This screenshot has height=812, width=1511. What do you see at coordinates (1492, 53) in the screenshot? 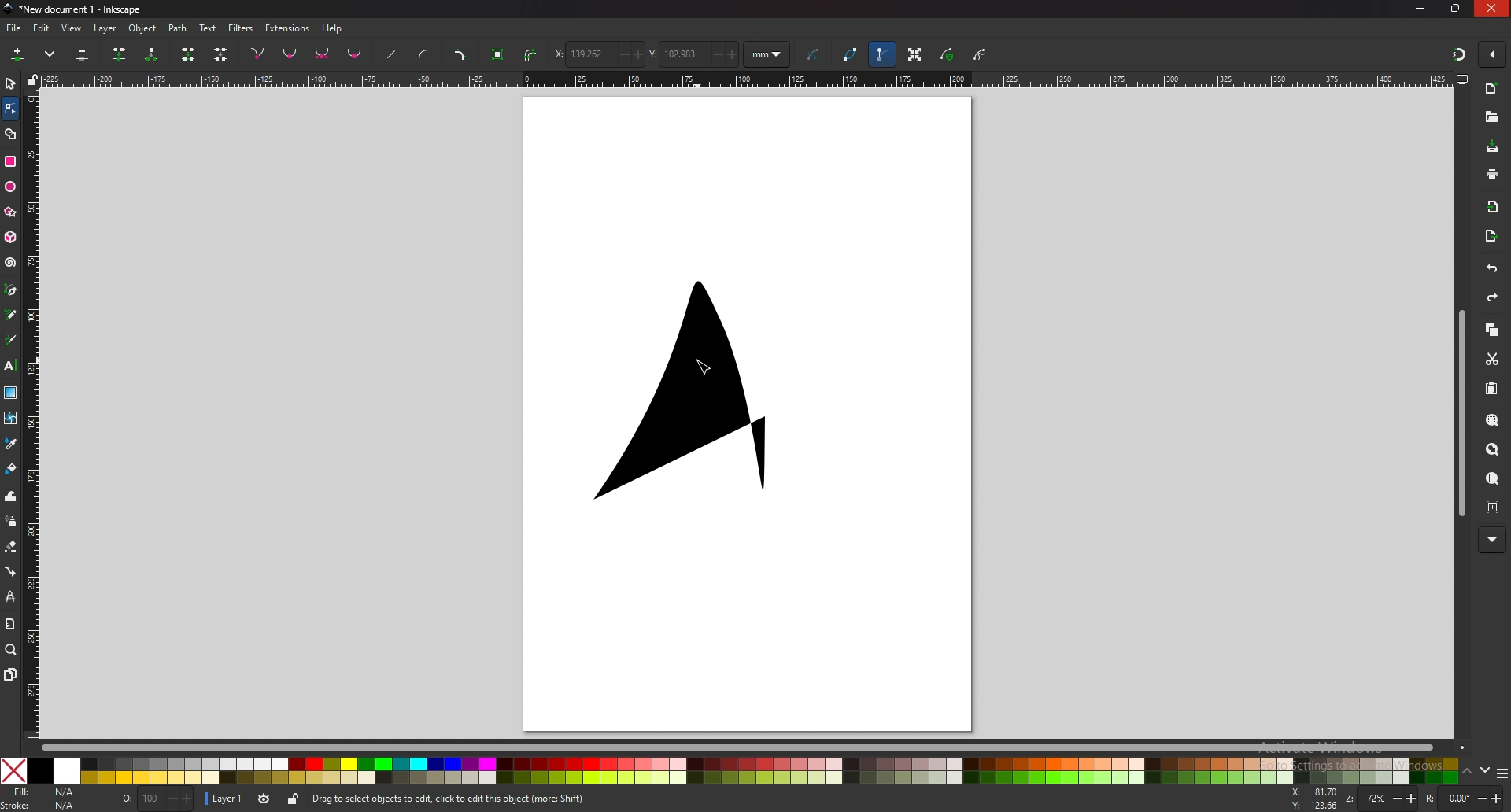
I see `enable snapping` at bounding box center [1492, 53].